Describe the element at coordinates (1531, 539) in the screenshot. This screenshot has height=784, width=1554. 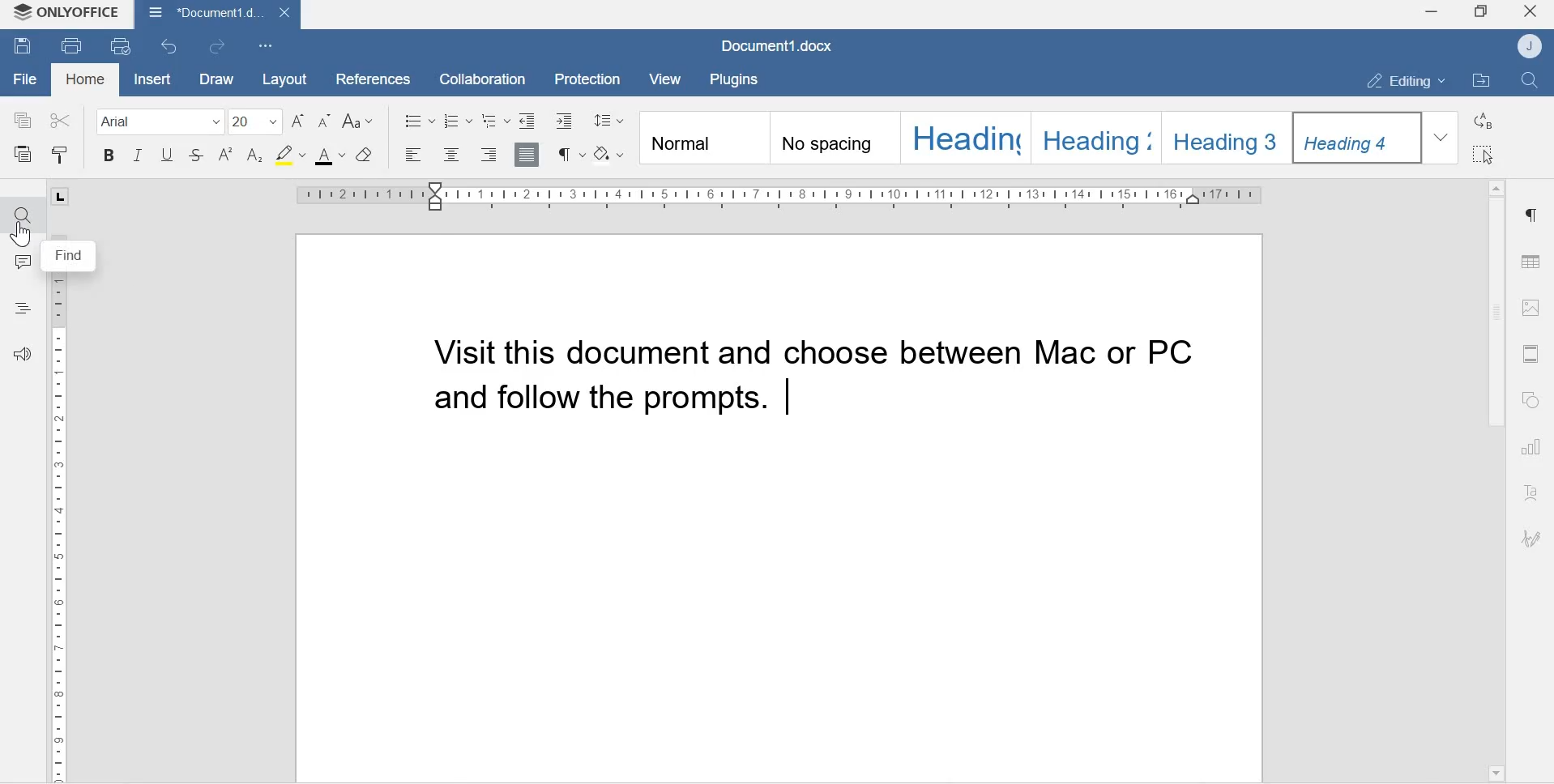
I see `Signature` at that location.